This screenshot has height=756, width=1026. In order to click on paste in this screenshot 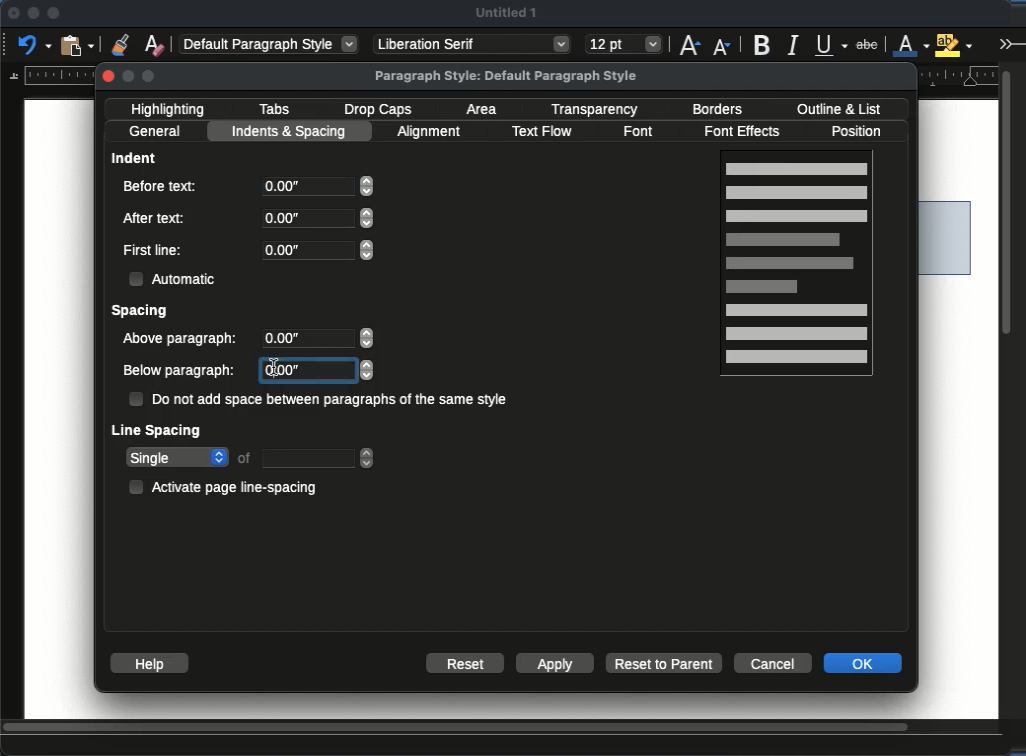, I will do `click(79, 44)`.